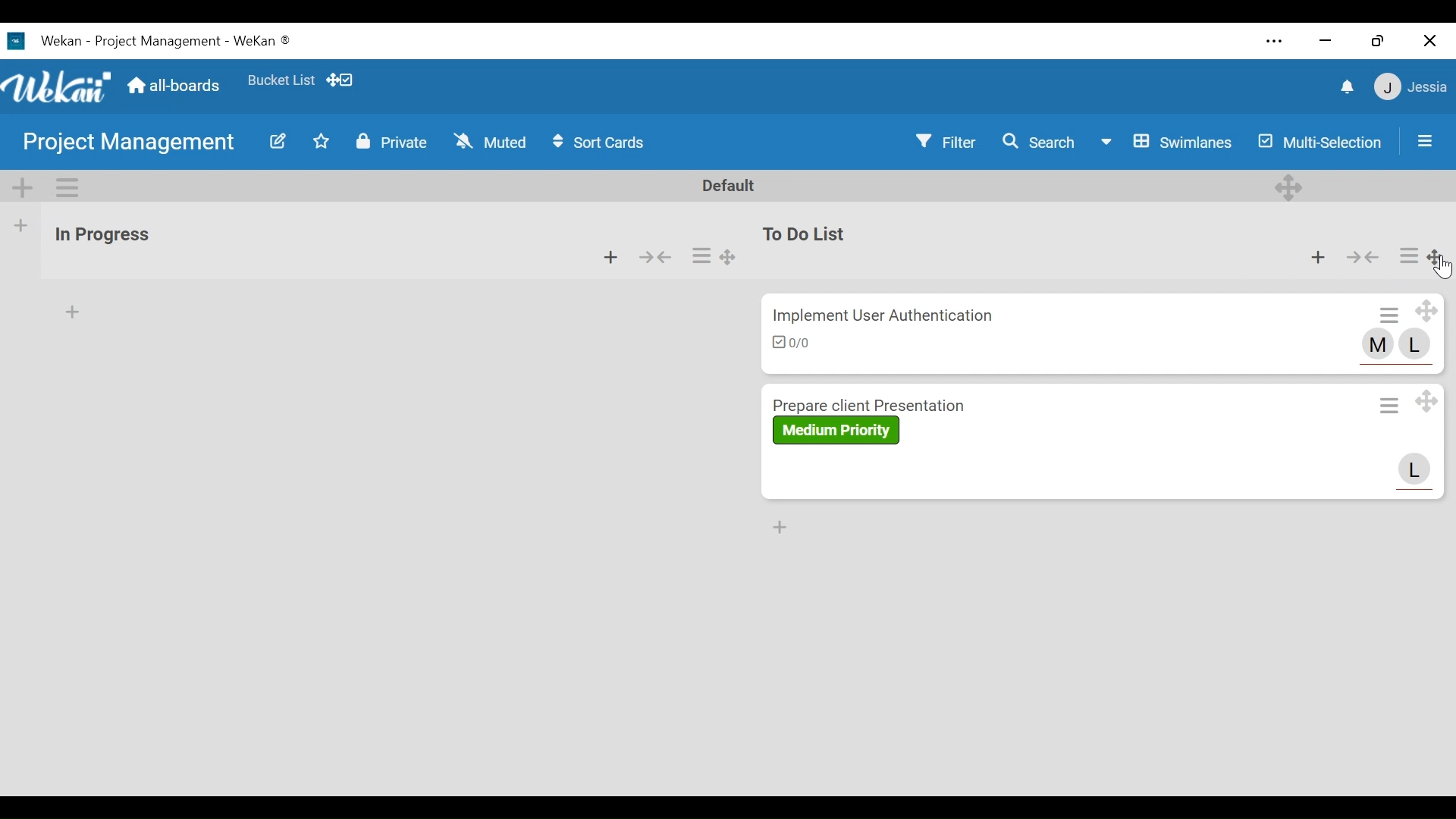 The height and width of the screenshot is (819, 1456). Describe the element at coordinates (66, 187) in the screenshot. I see `Swimlane actions` at that location.